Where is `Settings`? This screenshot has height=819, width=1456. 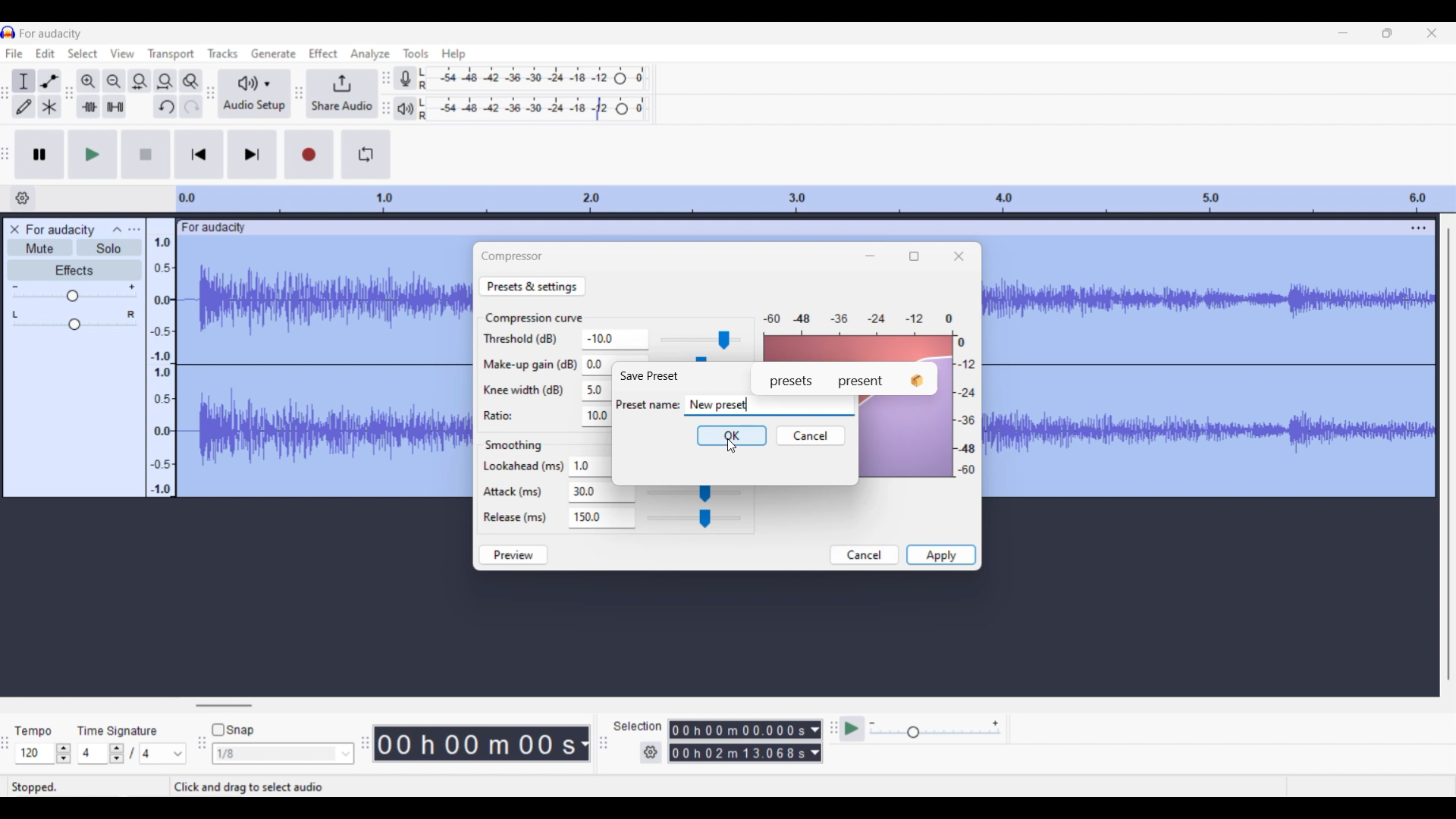 Settings is located at coordinates (651, 752).